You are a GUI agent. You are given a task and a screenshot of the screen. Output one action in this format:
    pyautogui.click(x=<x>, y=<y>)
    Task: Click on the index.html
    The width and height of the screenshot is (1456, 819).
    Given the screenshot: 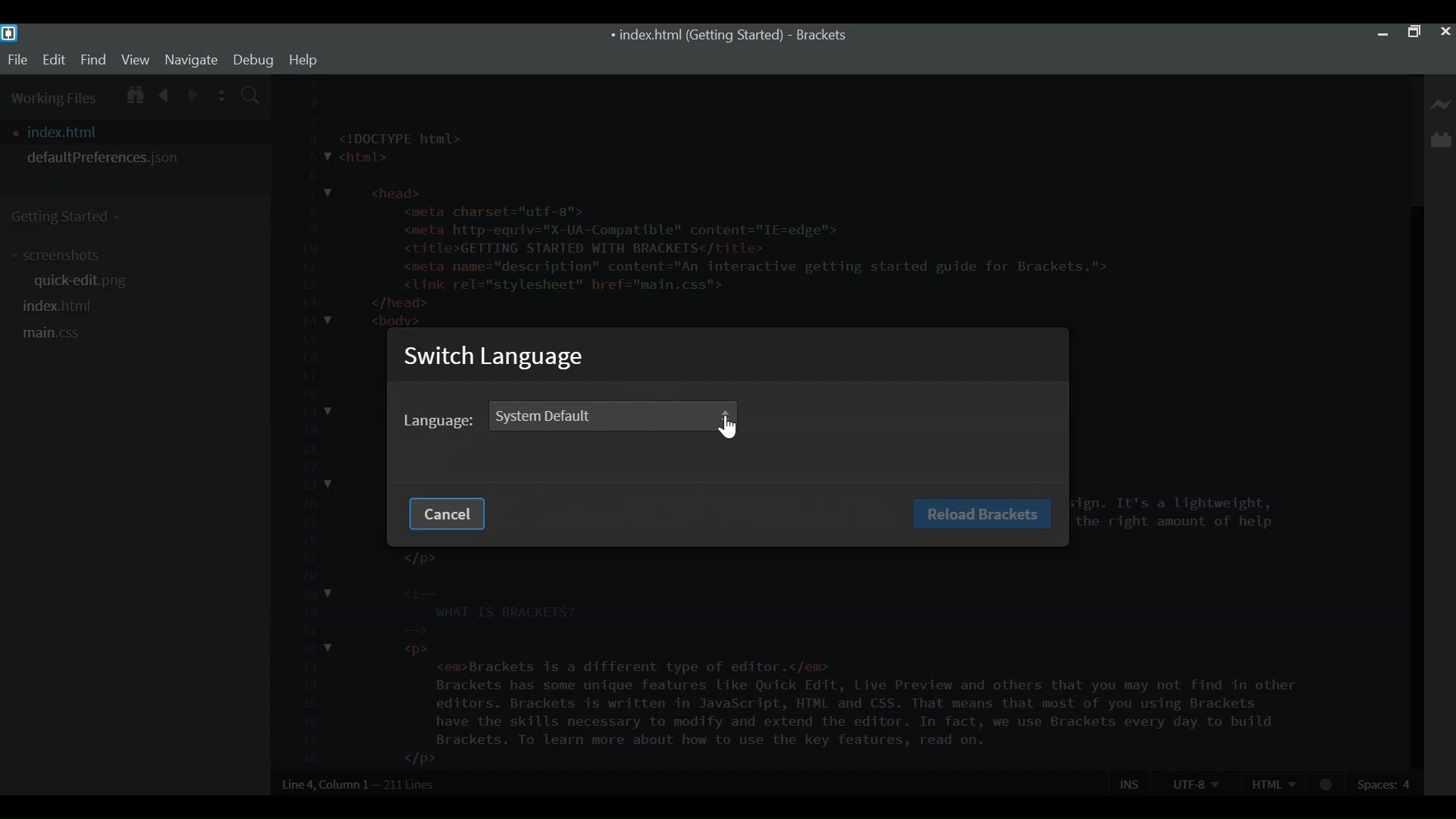 What is the action you would take?
    pyautogui.click(x=60, y=306)
    